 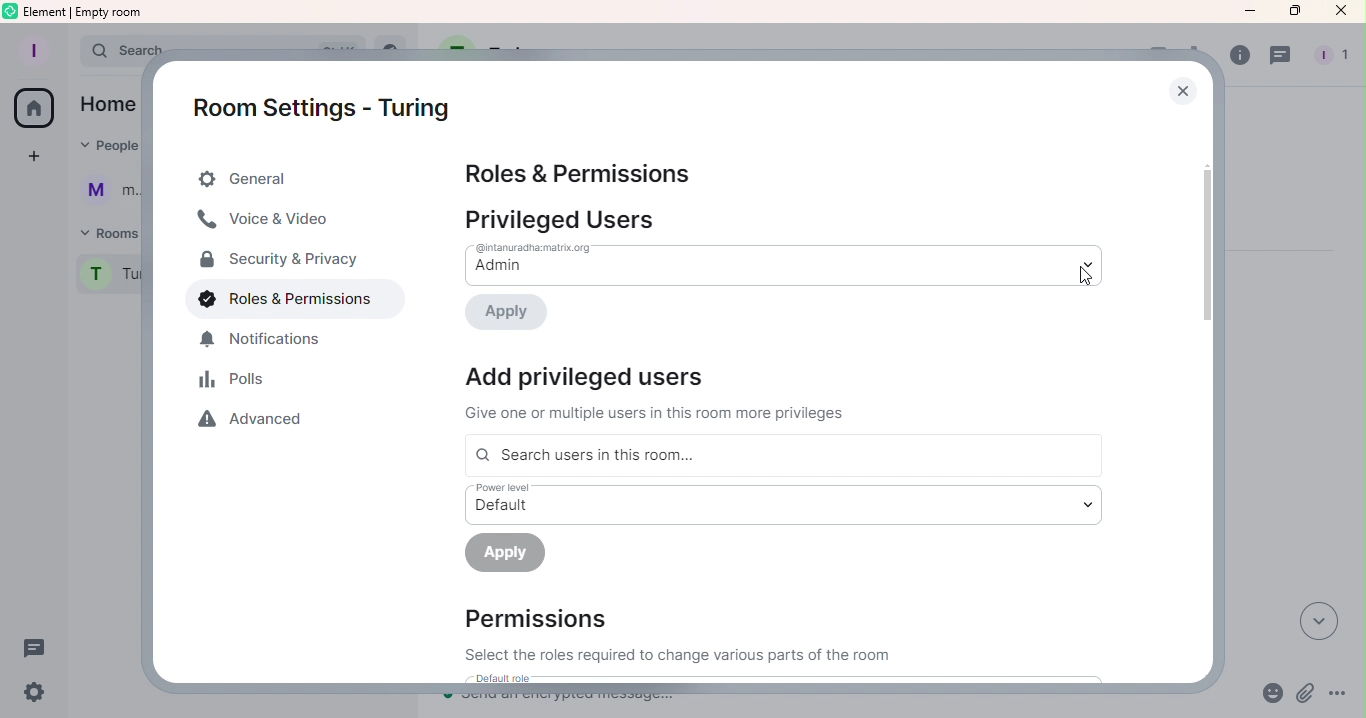 I want to click on people, so click(x=1332, y=56).